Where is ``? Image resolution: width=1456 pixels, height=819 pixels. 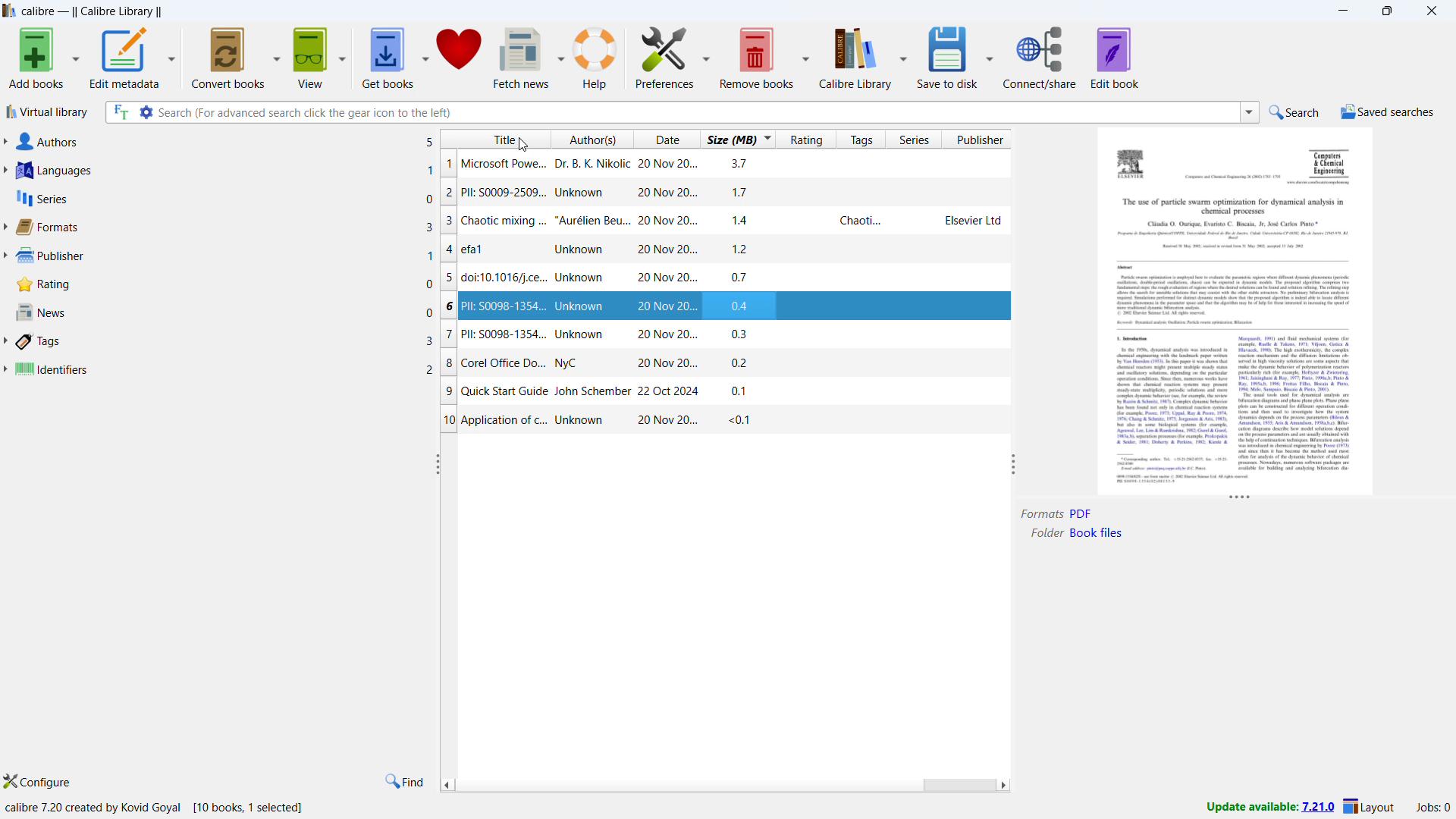
 is located at coordinates (1178, 480).